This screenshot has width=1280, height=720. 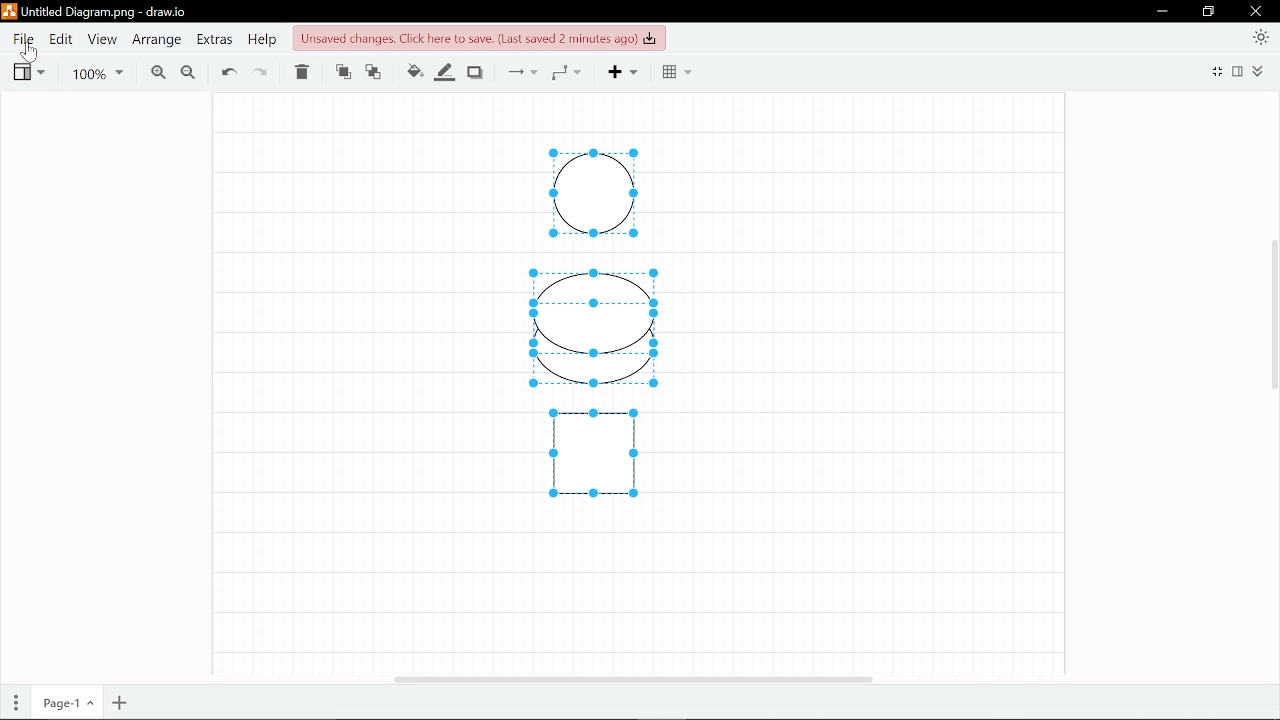 What do you see at coordinates (445, 72) in the screenshot?
I see `Fill line` at bounding box center [445, 72].